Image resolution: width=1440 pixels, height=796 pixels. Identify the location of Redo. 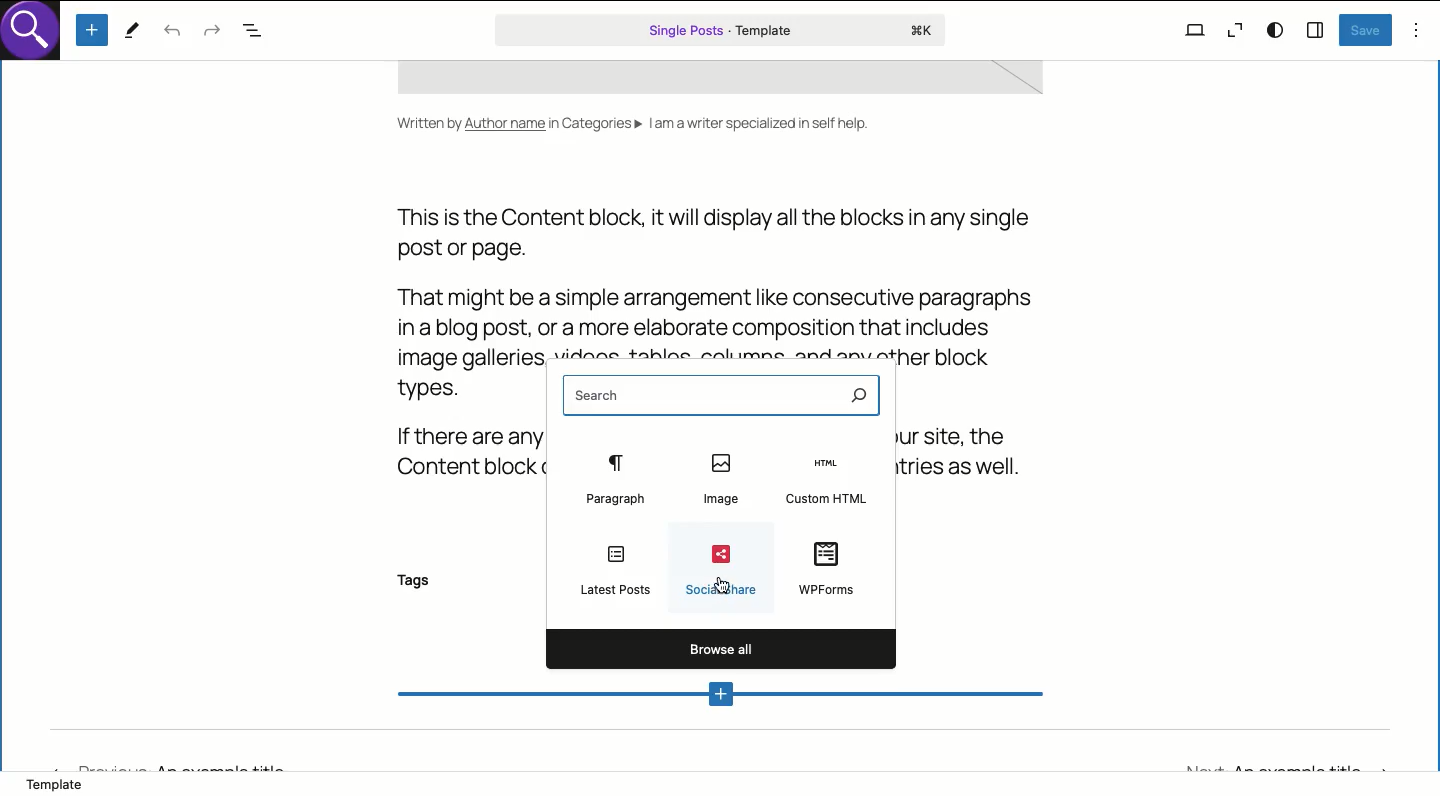
(213, 33).